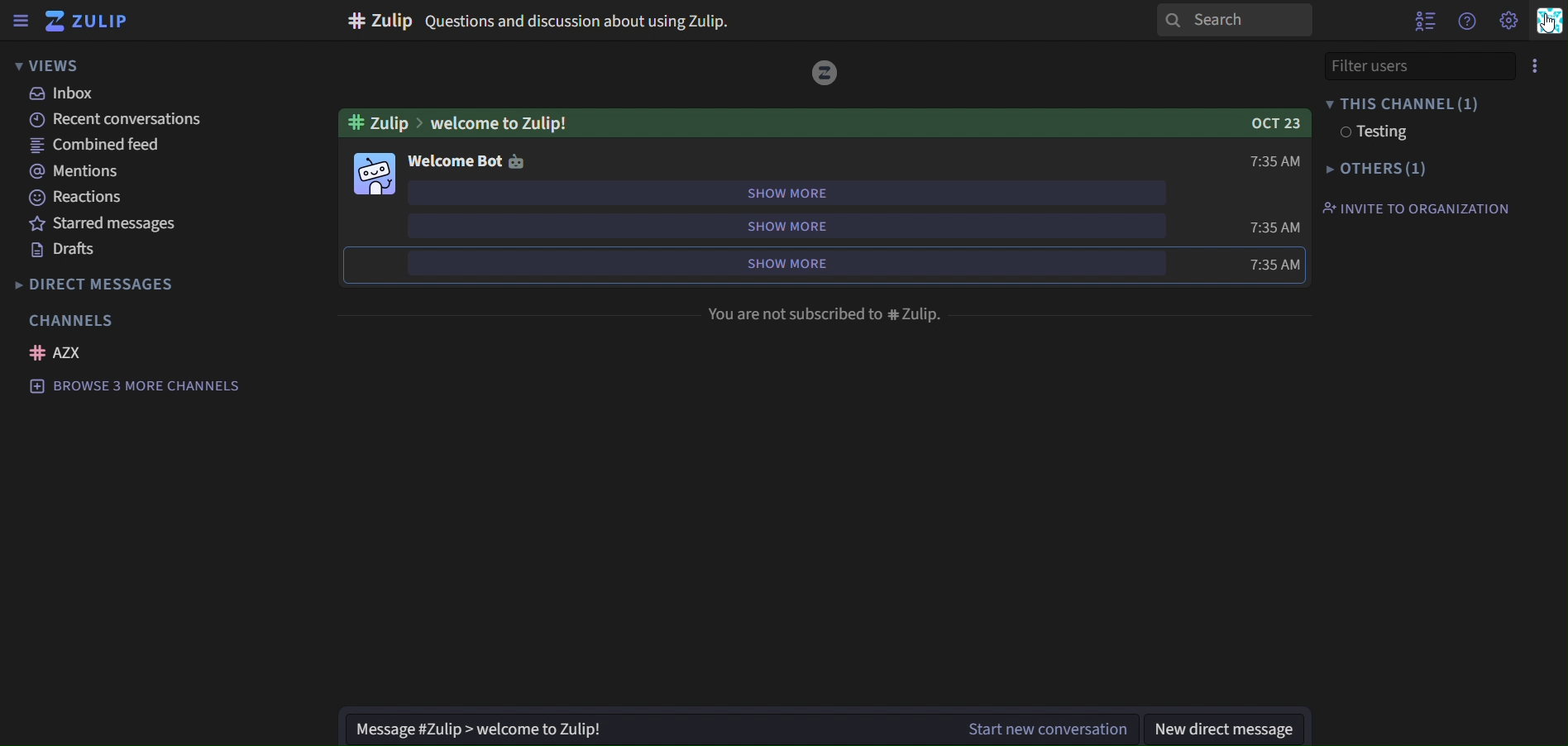 This screenshot has height=746, width=1568. Describe the element at coordinates (20, 18) in the screenshot. I see `sidebar` at that location.